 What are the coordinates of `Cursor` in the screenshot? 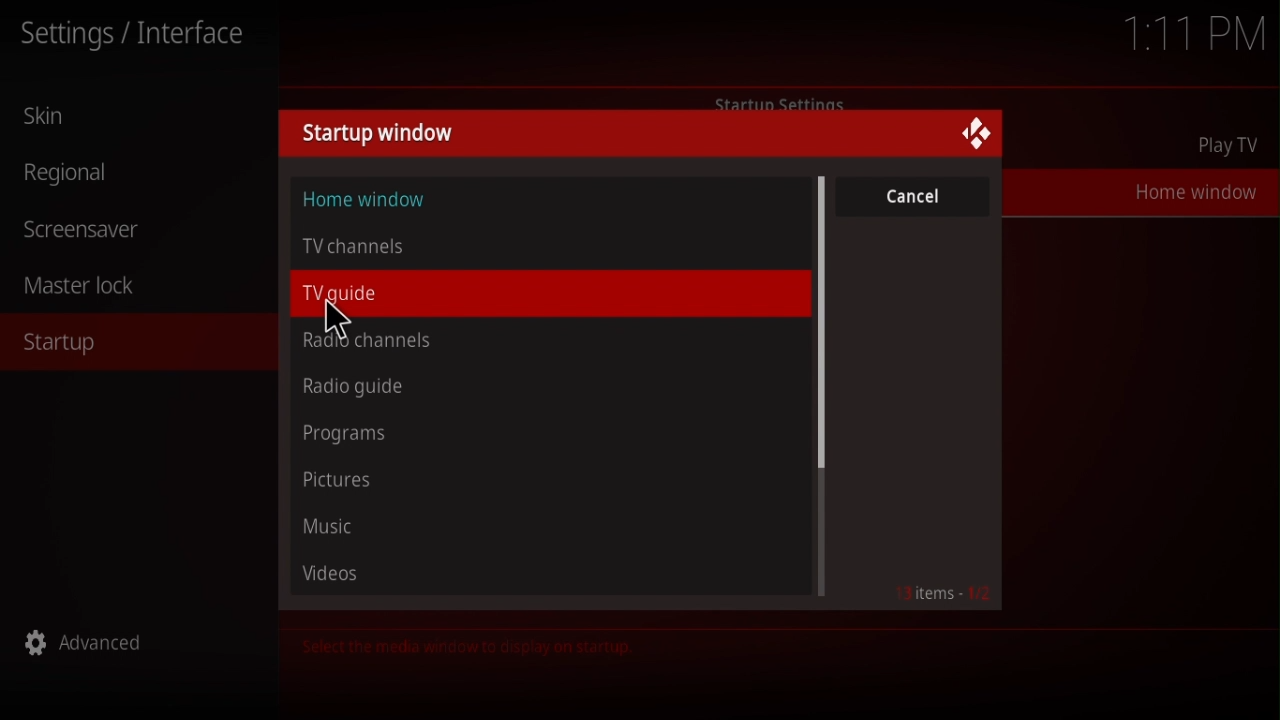 It's located at (333, 319).